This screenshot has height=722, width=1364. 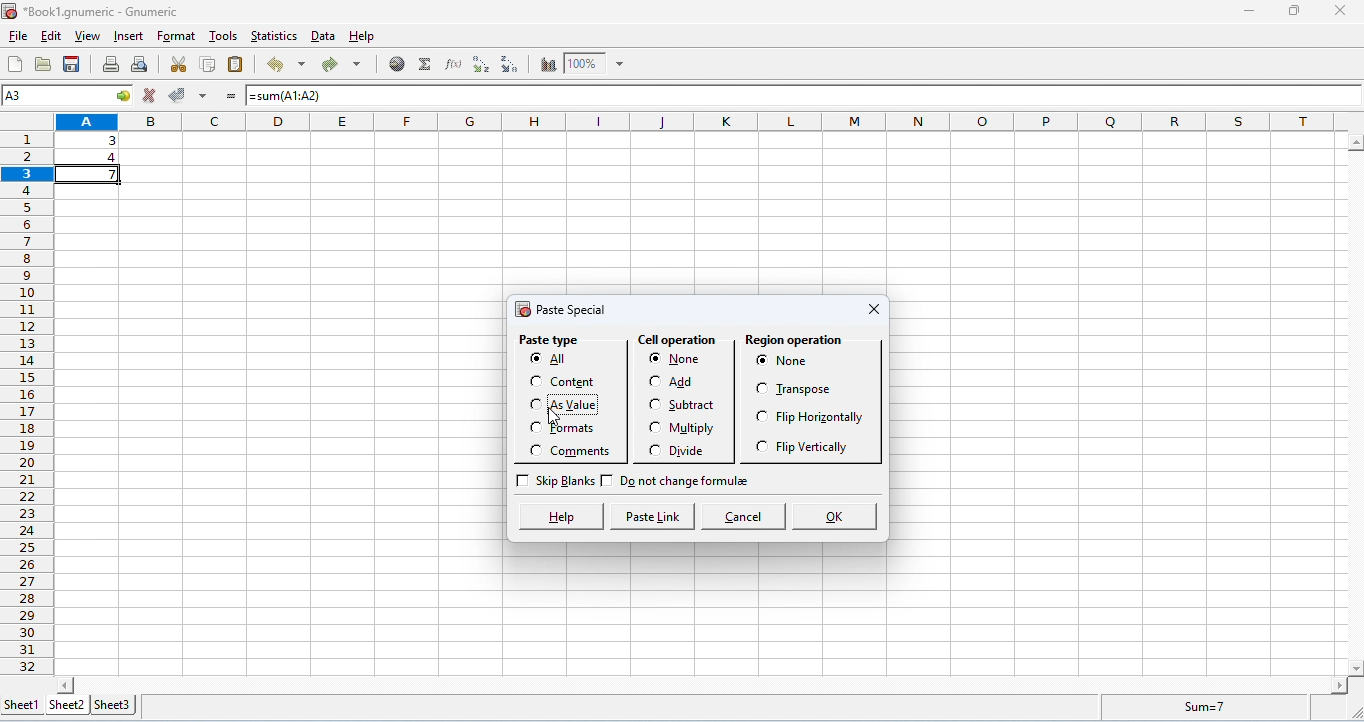 I want to click on ok, so click(x=838, y=516).